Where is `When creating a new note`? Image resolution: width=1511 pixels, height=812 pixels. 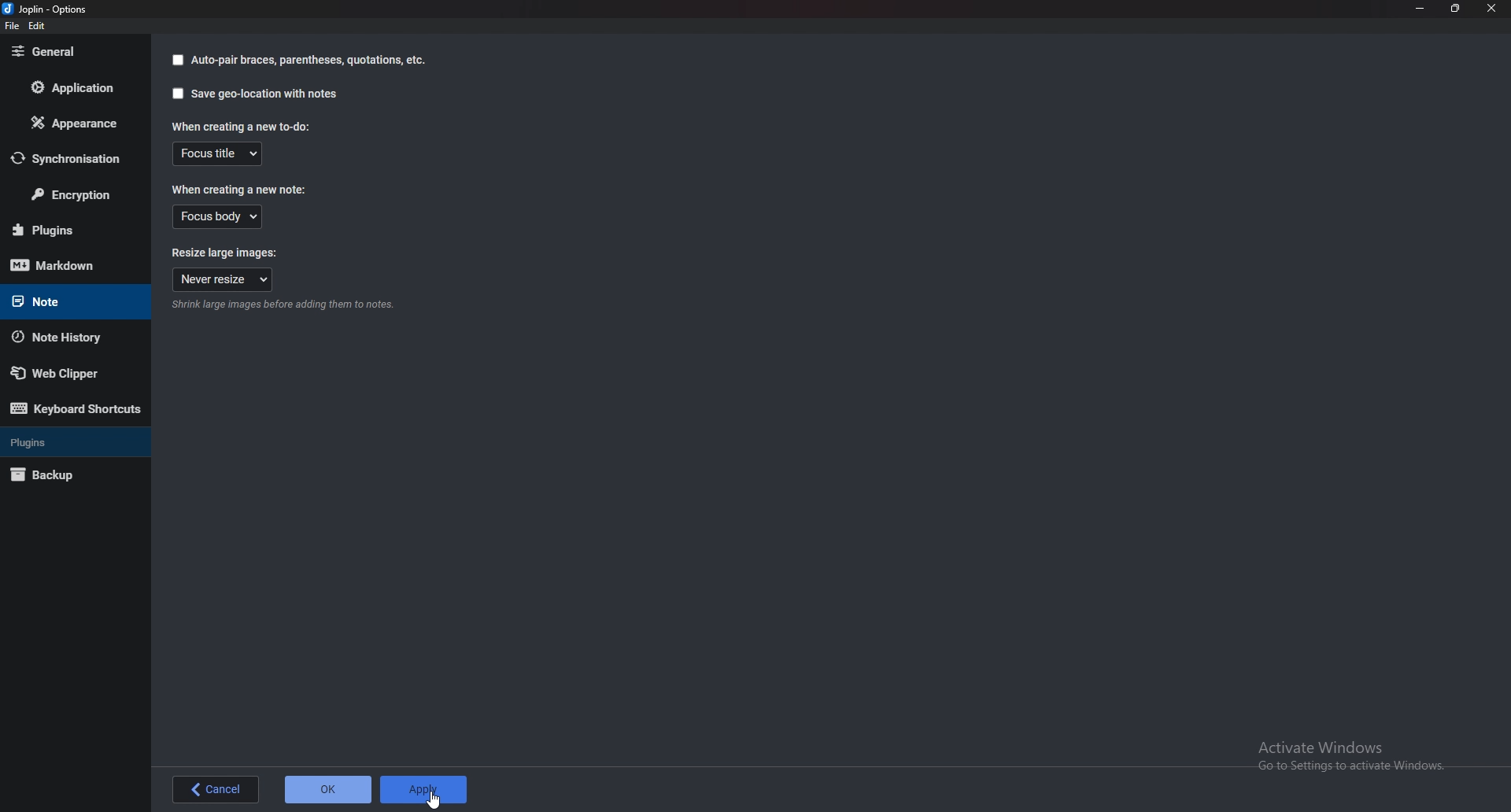
When creating a new note is located at coordinates (240, 190).